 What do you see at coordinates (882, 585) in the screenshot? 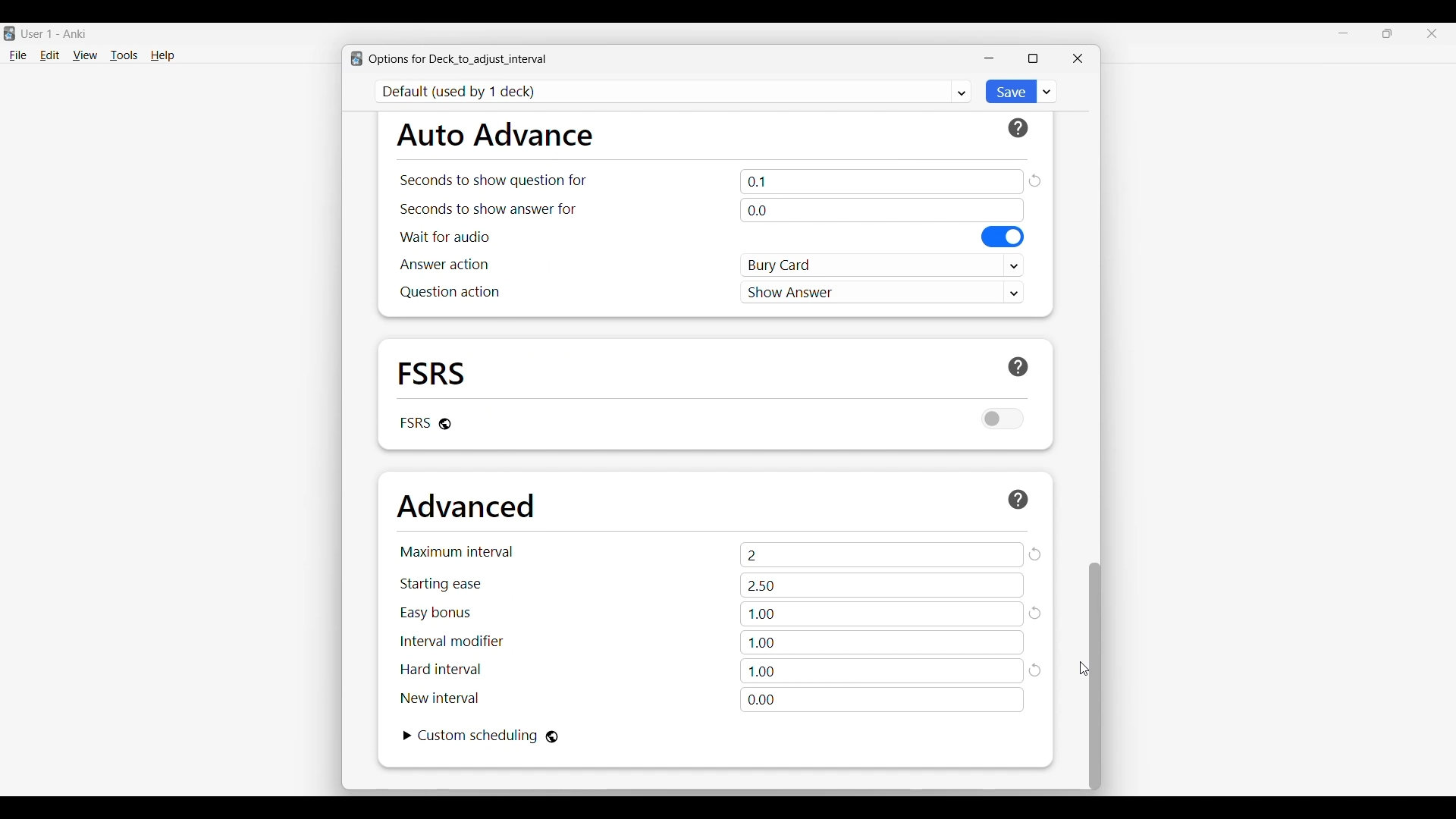
I see `2.50` at bounding box center [882, 585].